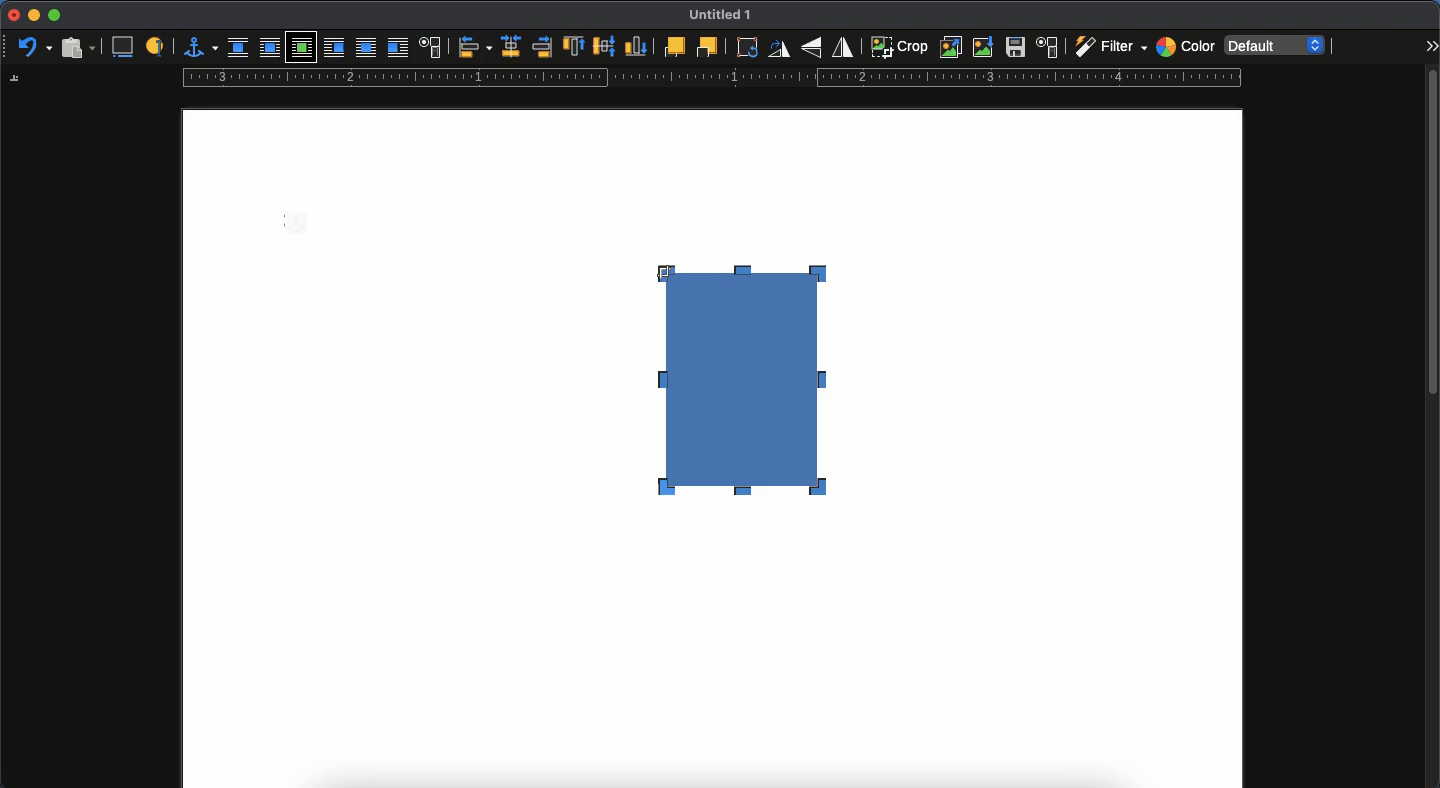  I want to click on page, so click(712, 657).